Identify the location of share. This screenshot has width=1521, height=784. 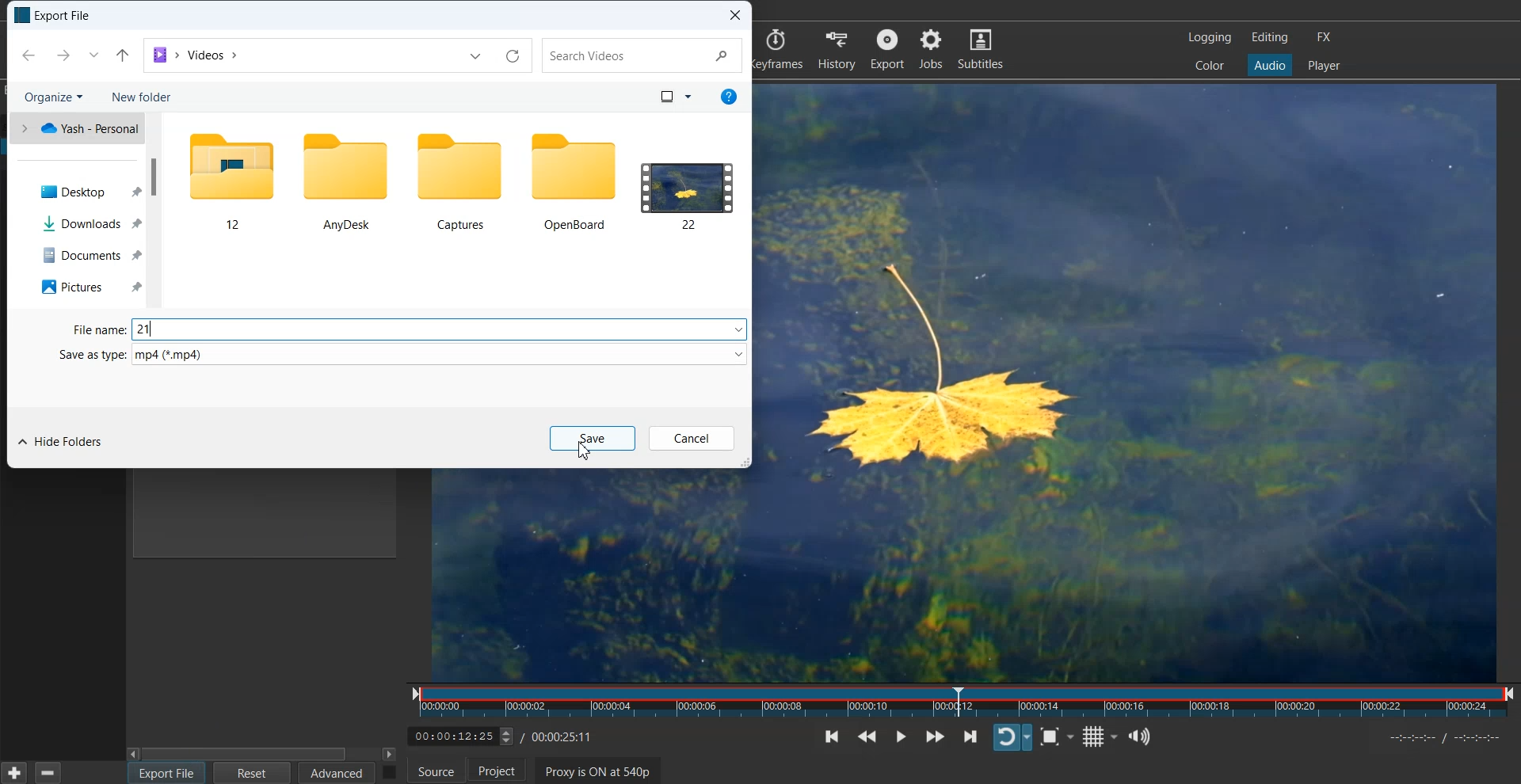
(124, 55).